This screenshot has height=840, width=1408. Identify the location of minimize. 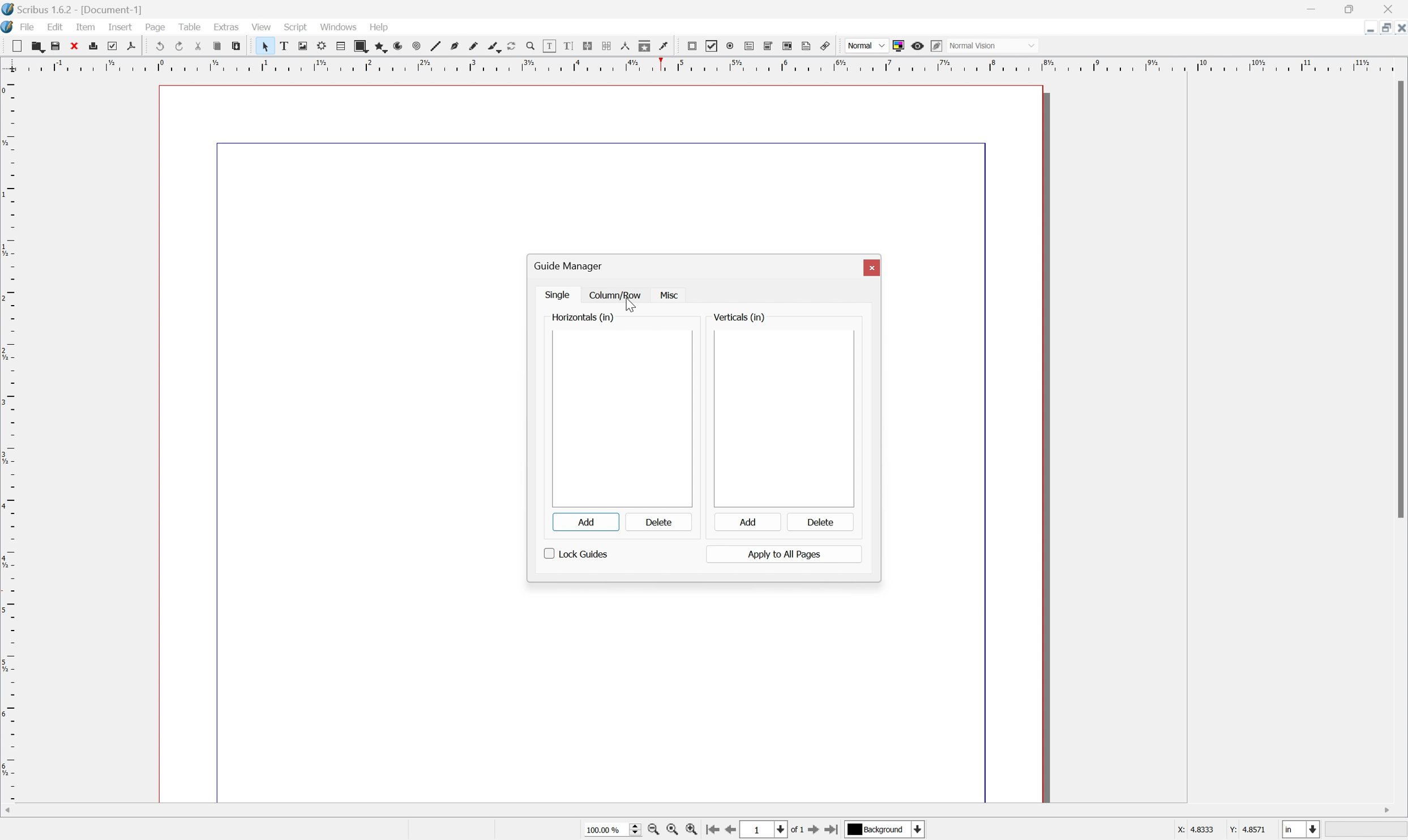
(1311, 7).